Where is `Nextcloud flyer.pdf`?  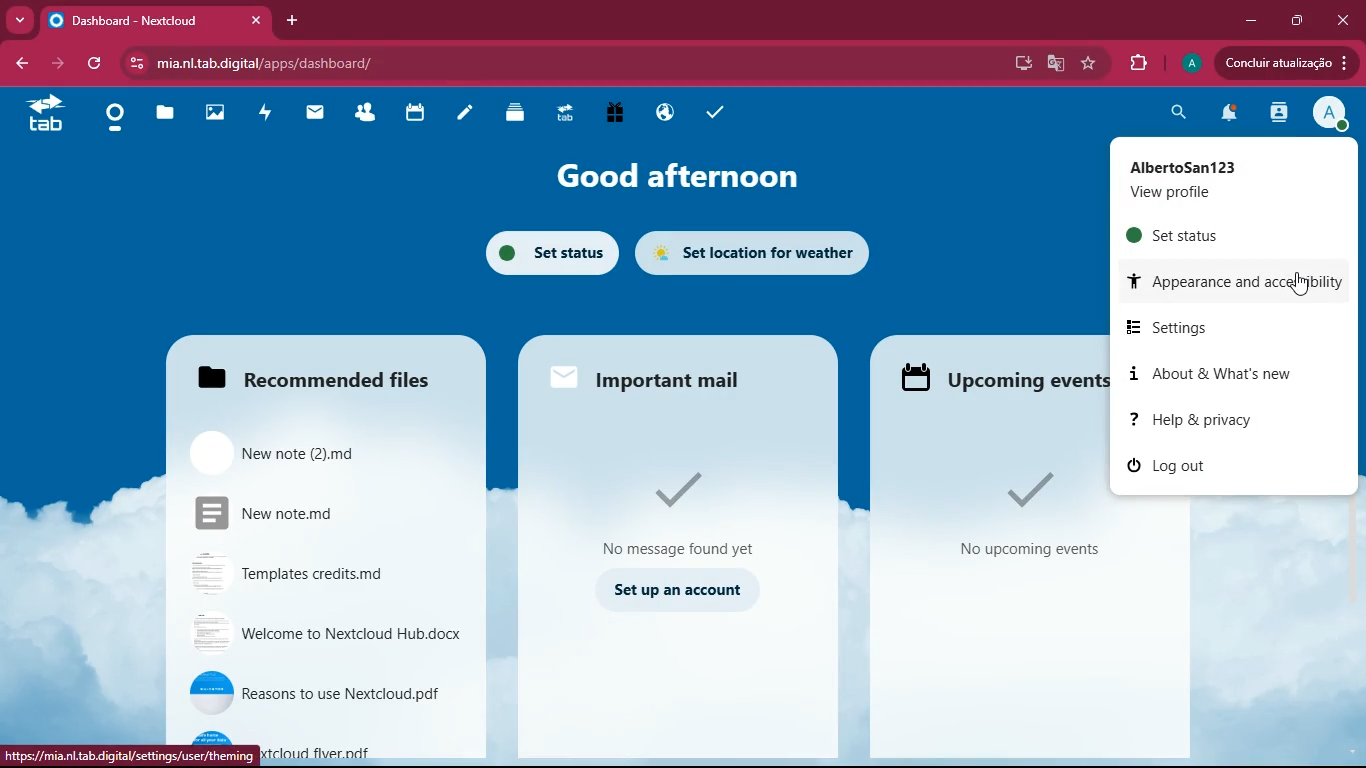 Nextcloud flyer.pdf is located at coordinates (361, 746).